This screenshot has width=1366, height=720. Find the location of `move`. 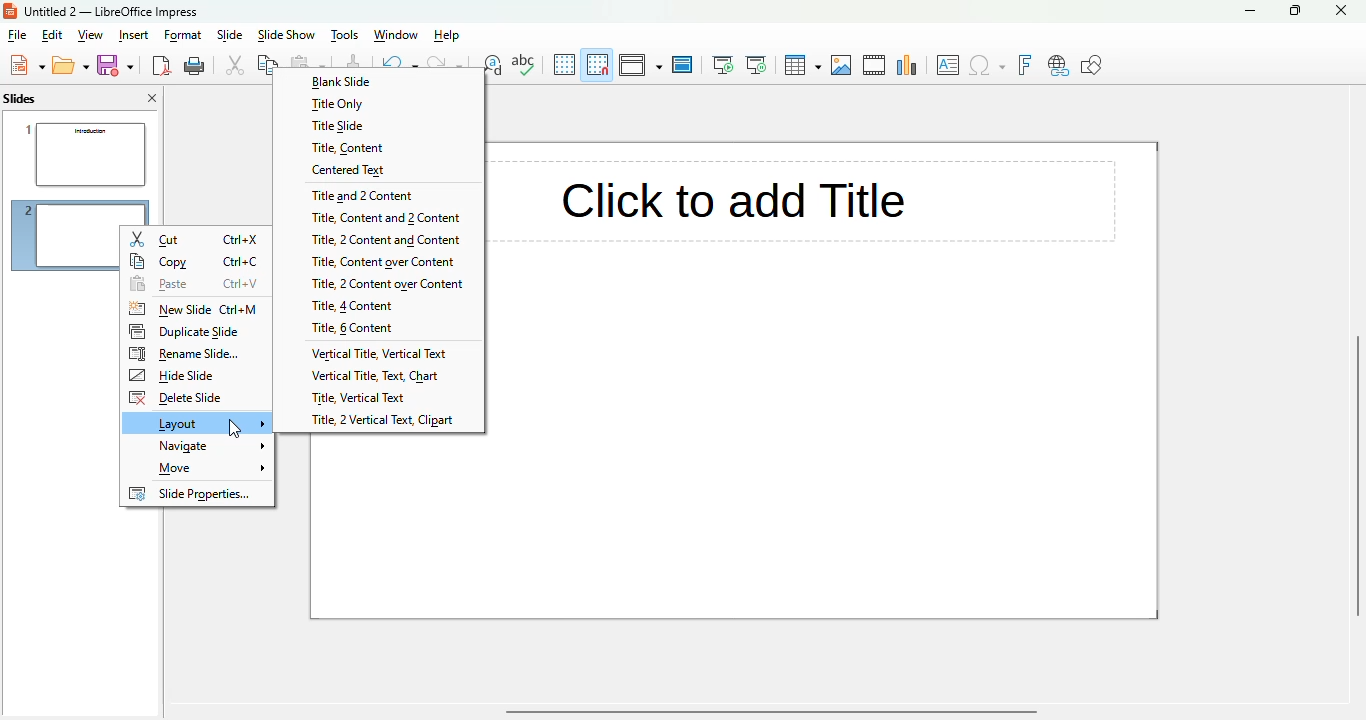

move is located at coordinates (197, 469).